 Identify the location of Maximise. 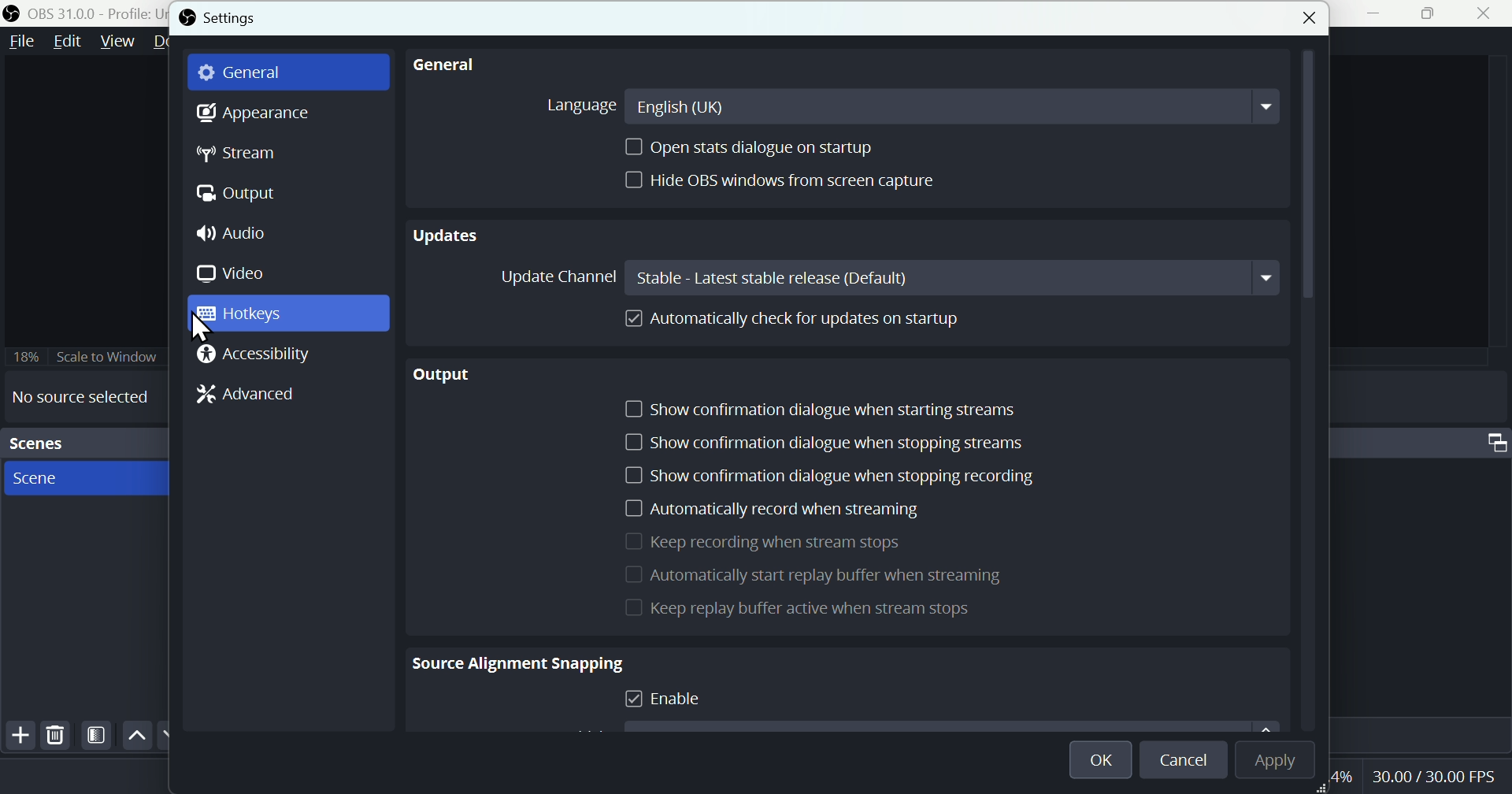
(1434, 13).